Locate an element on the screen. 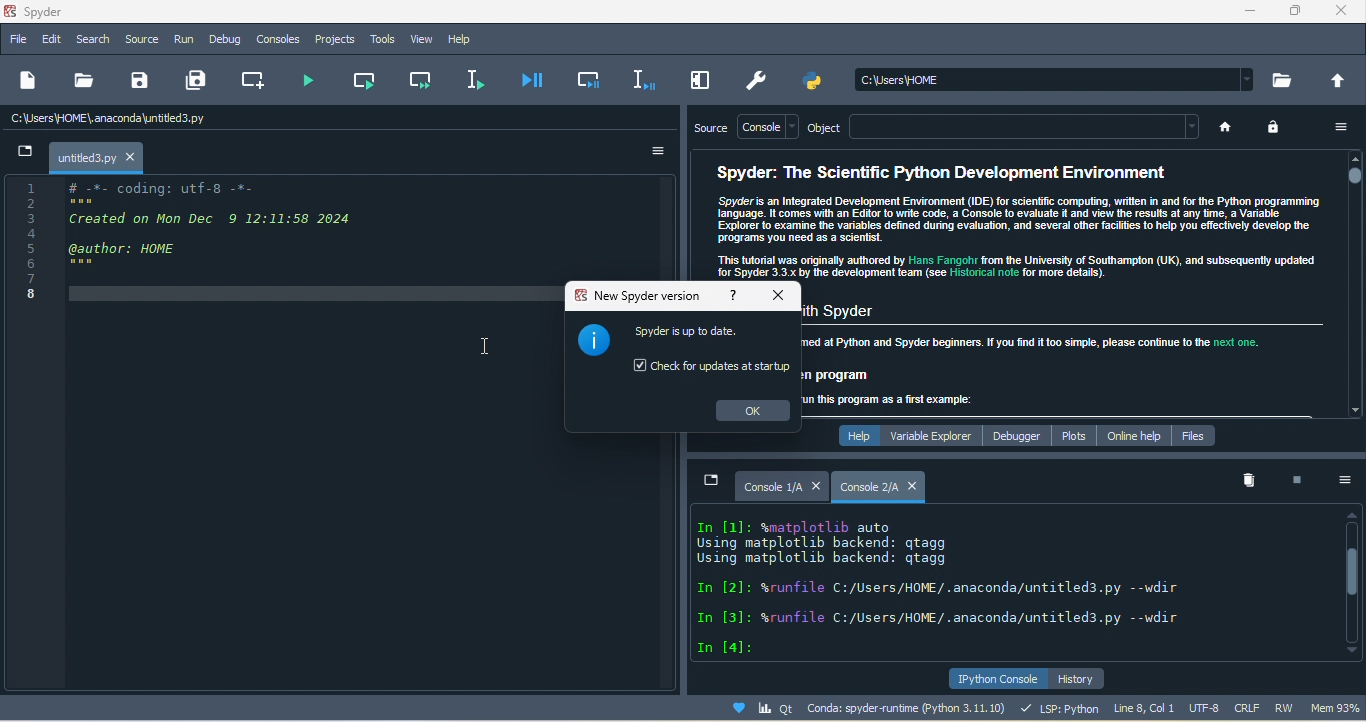  close is located at coordinates (916, 486).